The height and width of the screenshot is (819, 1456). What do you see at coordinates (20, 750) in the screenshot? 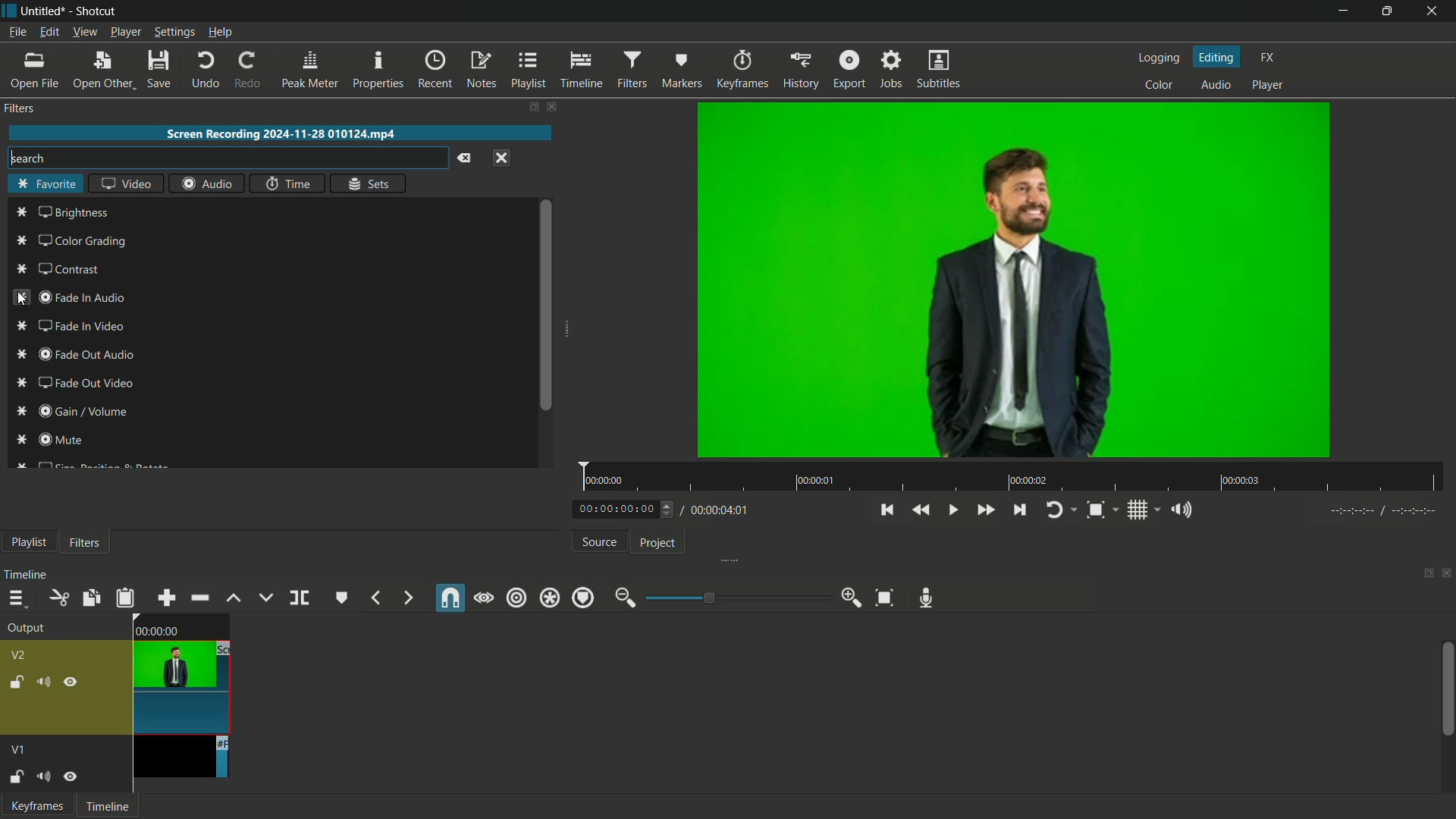
I see `v1` at bounding box center [20, 750].